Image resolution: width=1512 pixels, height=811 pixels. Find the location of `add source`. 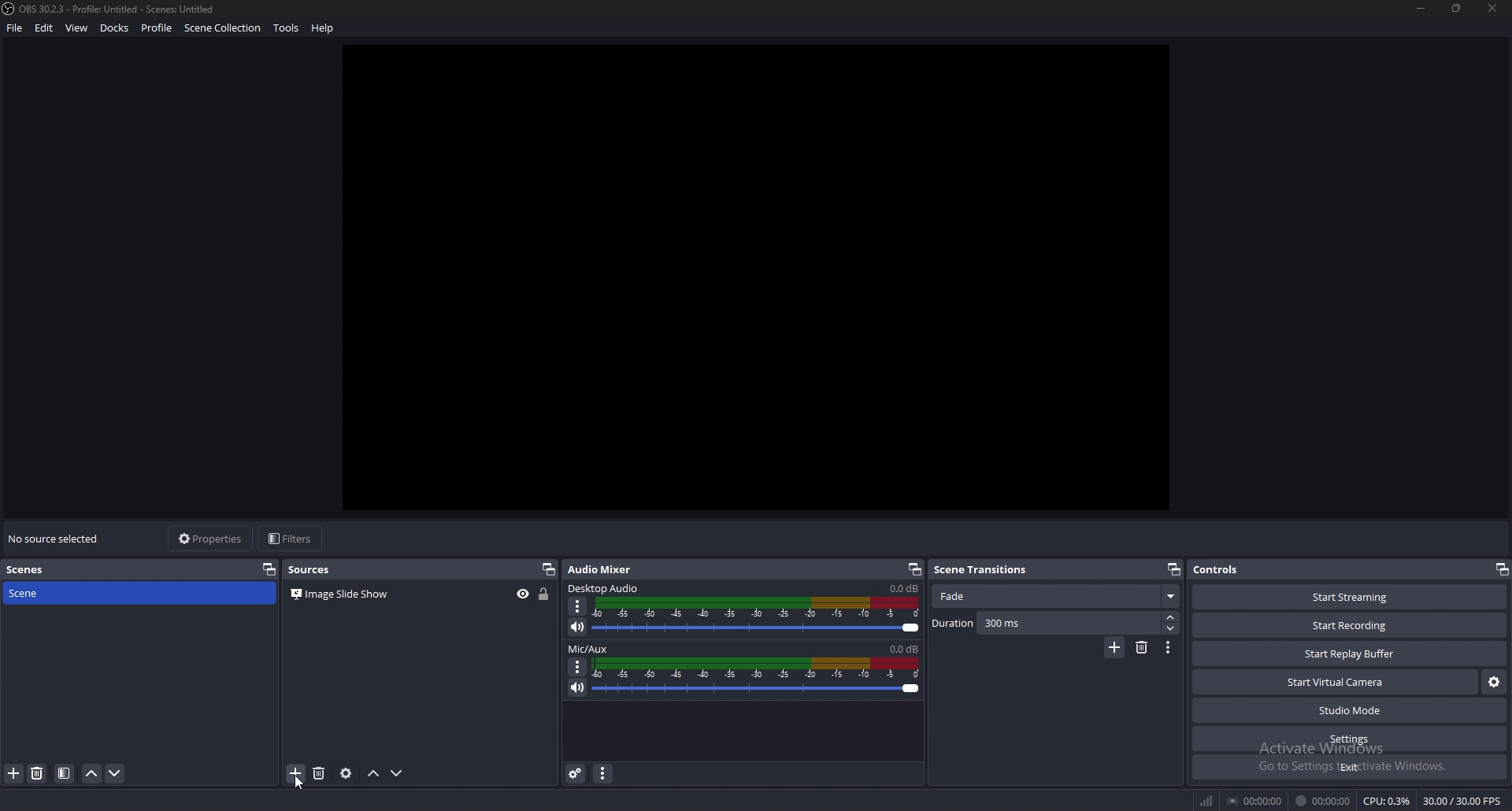

add source is located at coordinates (296, 772).